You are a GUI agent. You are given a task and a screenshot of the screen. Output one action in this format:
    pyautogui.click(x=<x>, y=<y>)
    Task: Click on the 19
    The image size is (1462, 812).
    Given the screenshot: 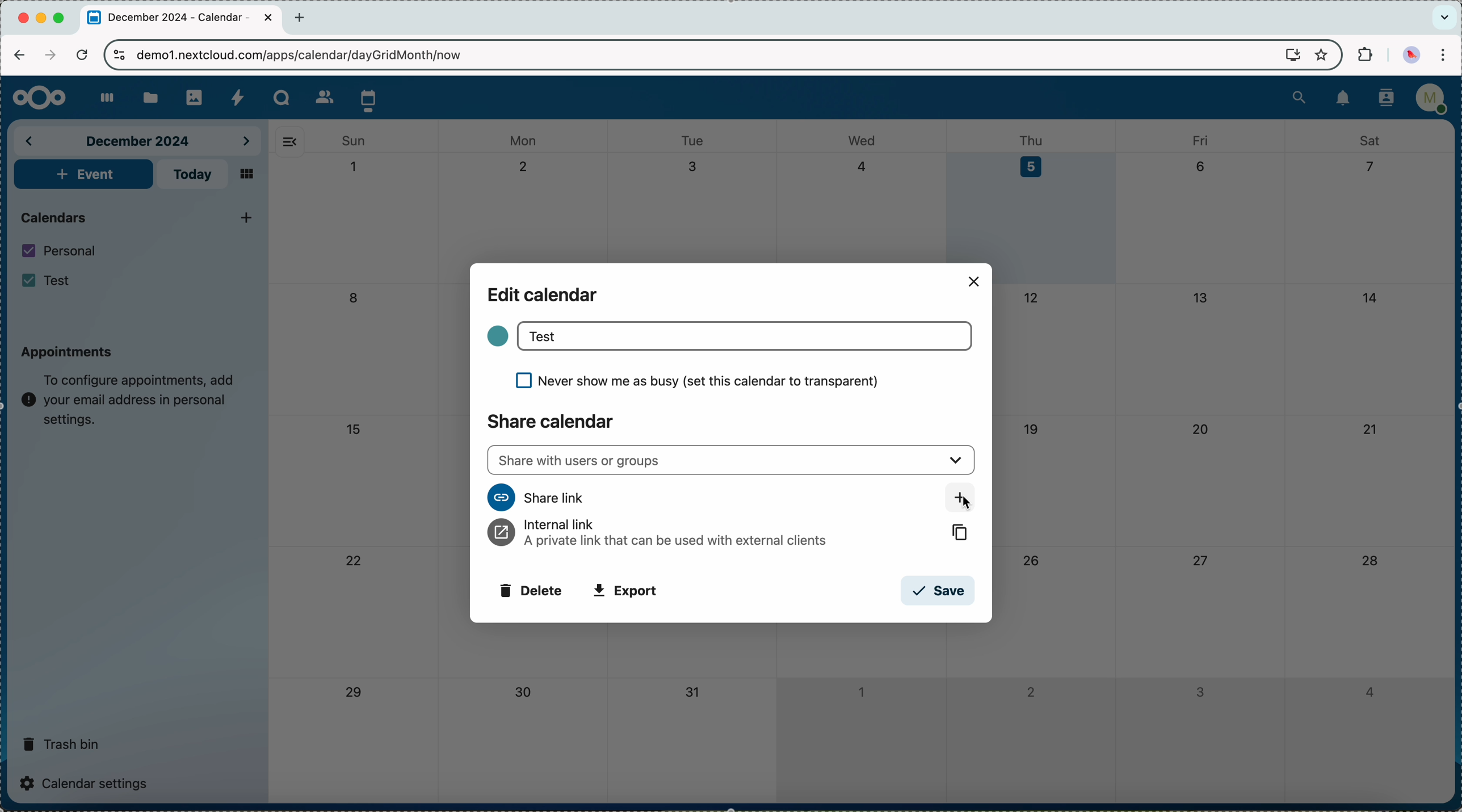 What is the action you would take?
    pyautogui.click(x=1032, y=428)
    